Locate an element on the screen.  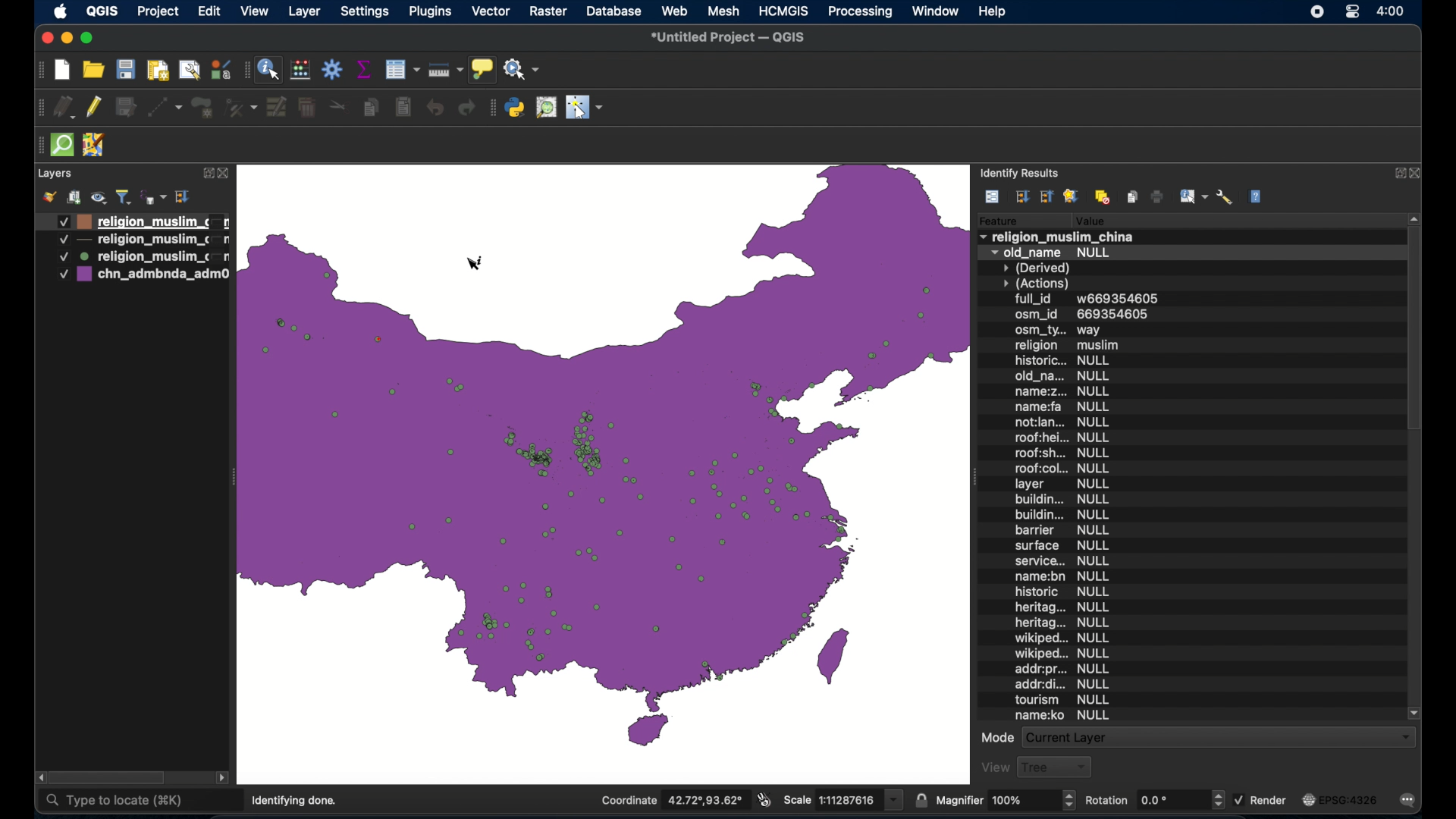
wikiped is located at coordinates (1062, 639).